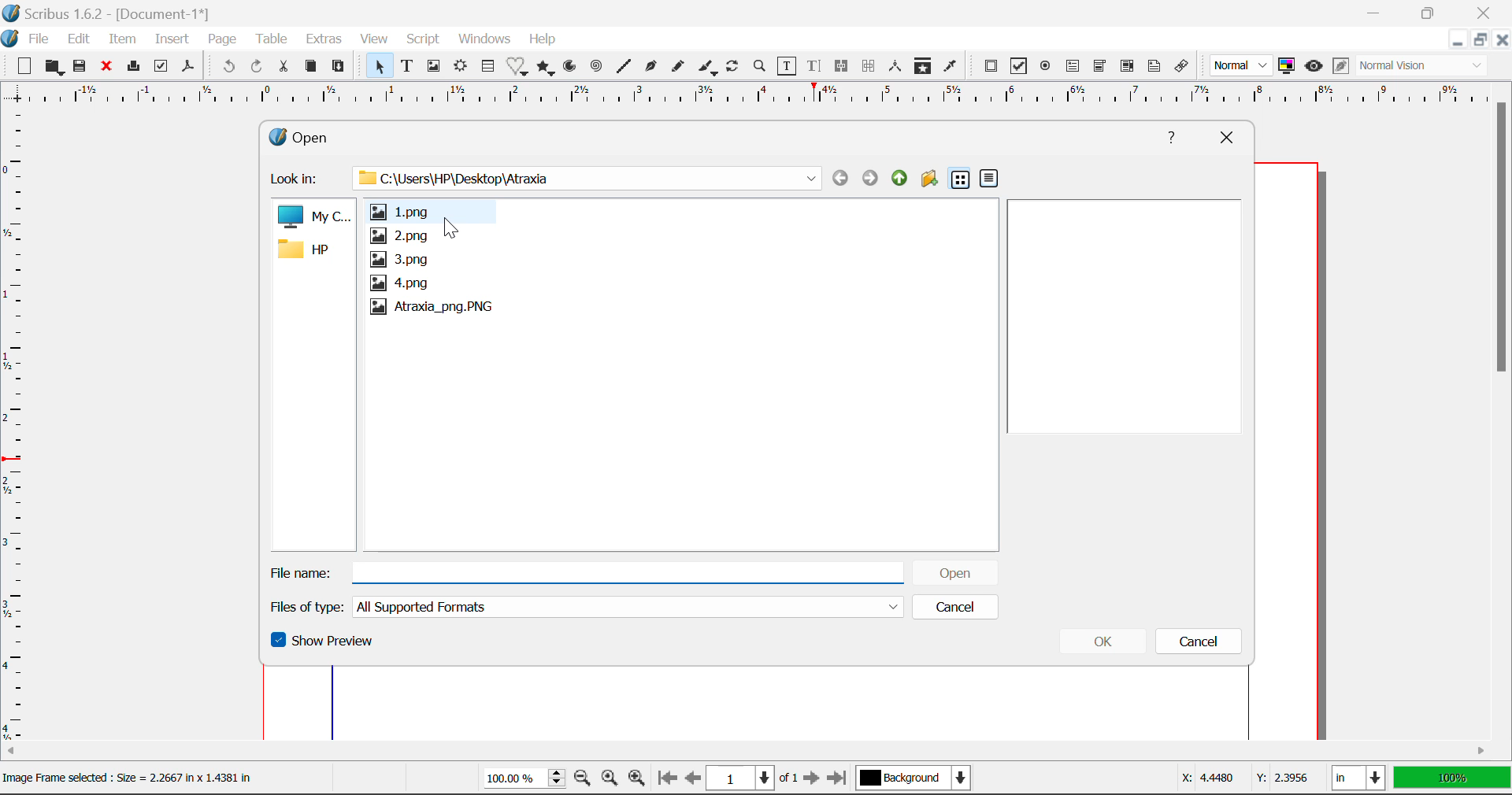 The image size is (1512, 795). What do you see at coordinates (652, 68) in the screenshot?
I see `Bezier Curve` at bounding box center [652, 68].